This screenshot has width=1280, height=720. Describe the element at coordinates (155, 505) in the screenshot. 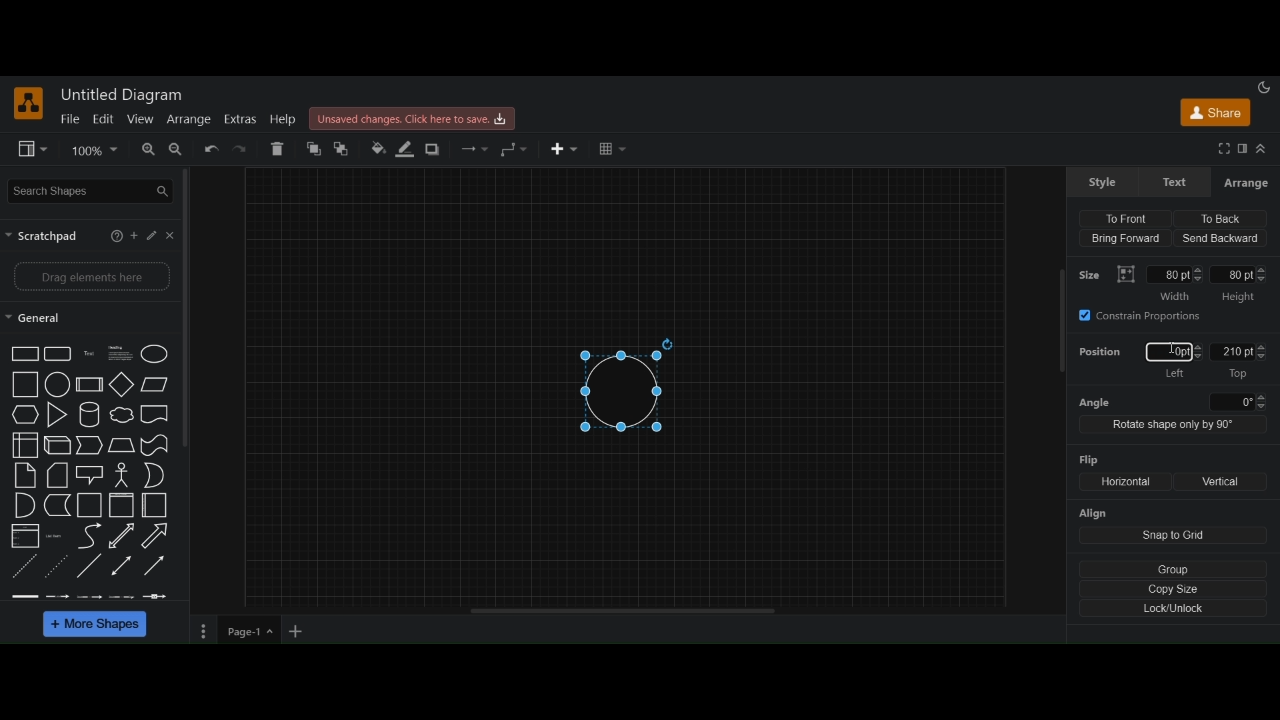

I see `Quater Square` at that location.